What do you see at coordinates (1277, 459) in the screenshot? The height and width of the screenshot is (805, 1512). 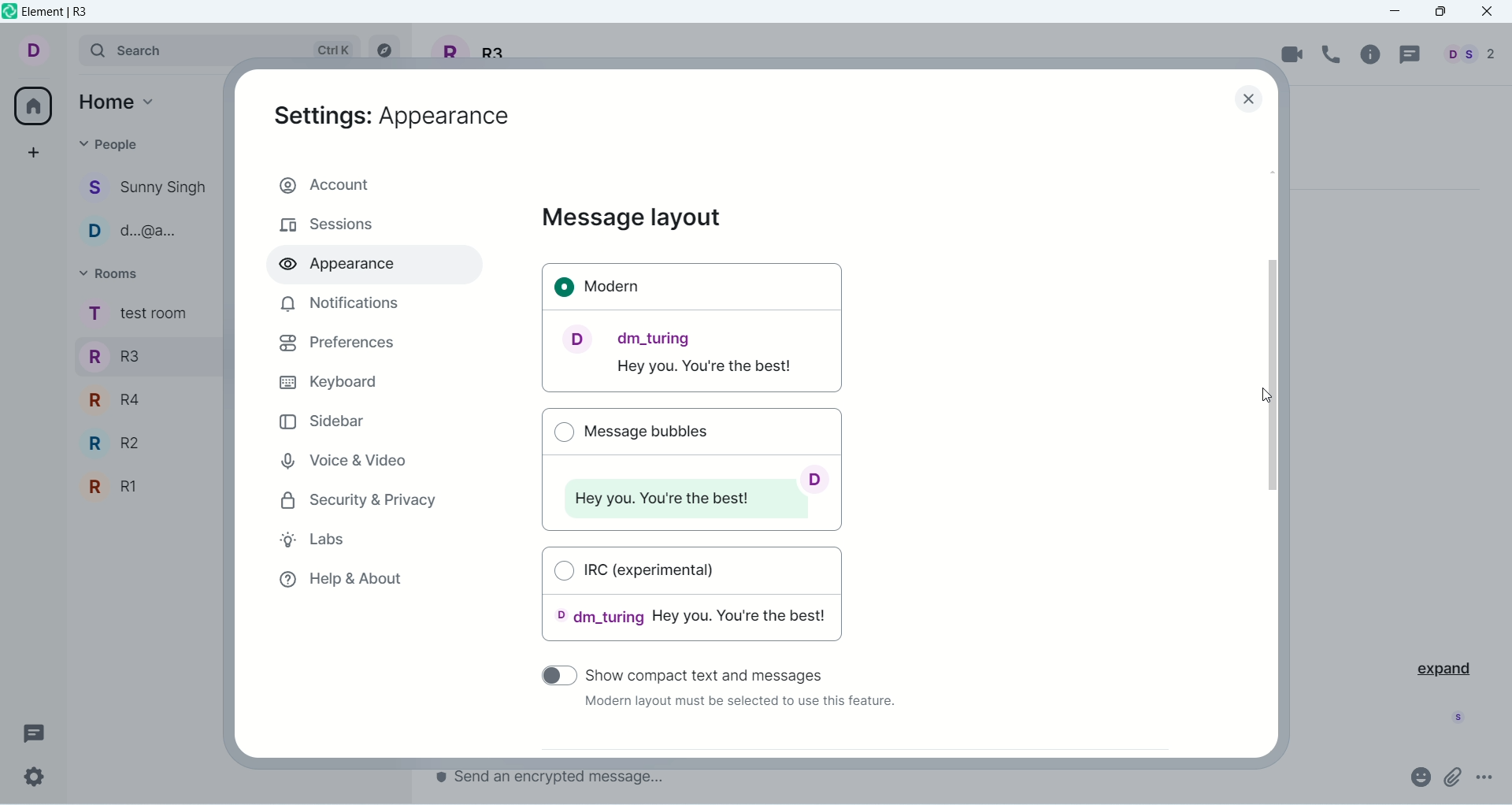 I see `vertical scroll bar` at bounding box center [1277, 459].